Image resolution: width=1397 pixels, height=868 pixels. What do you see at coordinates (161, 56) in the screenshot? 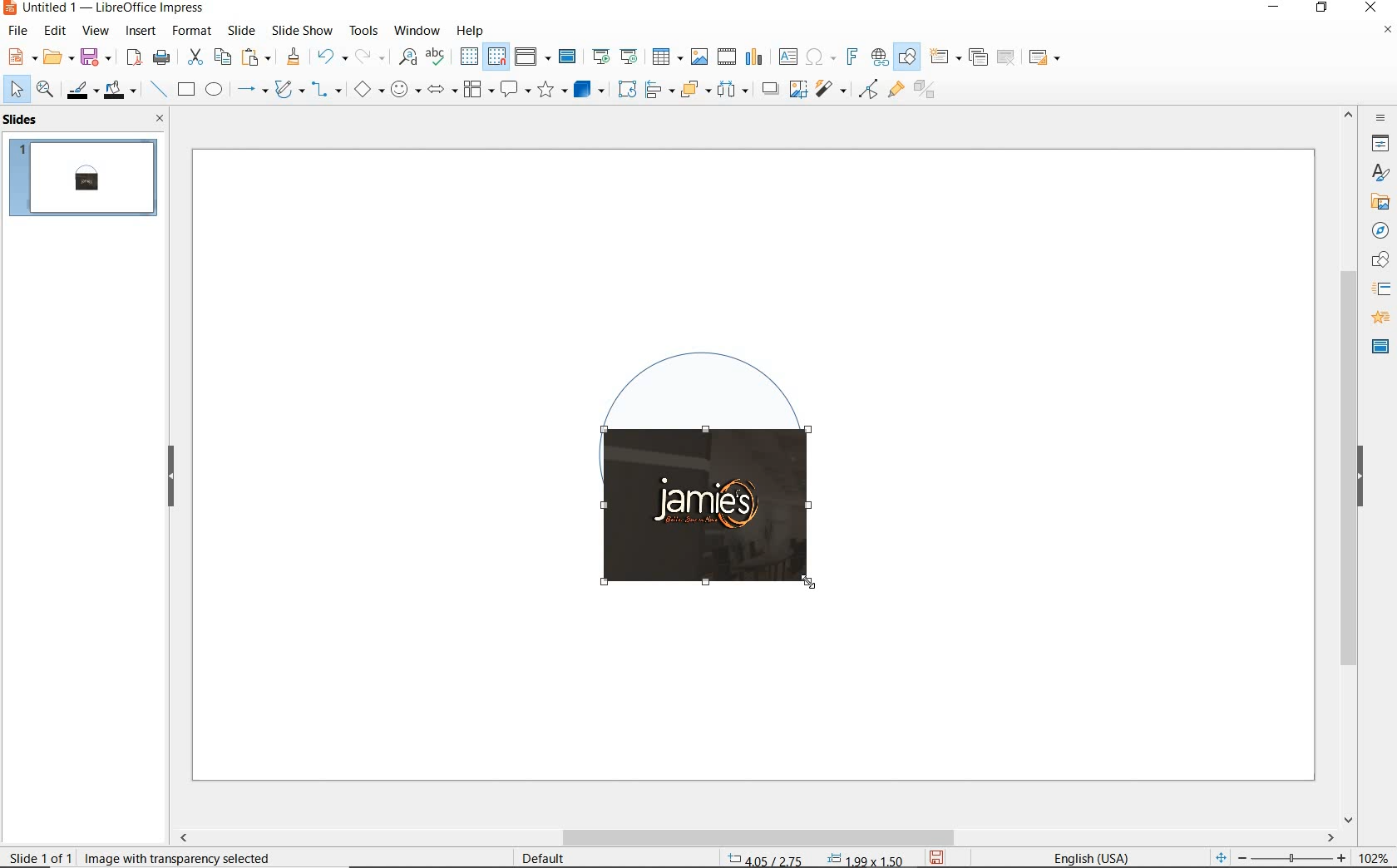
I see `print` at bounding box center [161, 56].